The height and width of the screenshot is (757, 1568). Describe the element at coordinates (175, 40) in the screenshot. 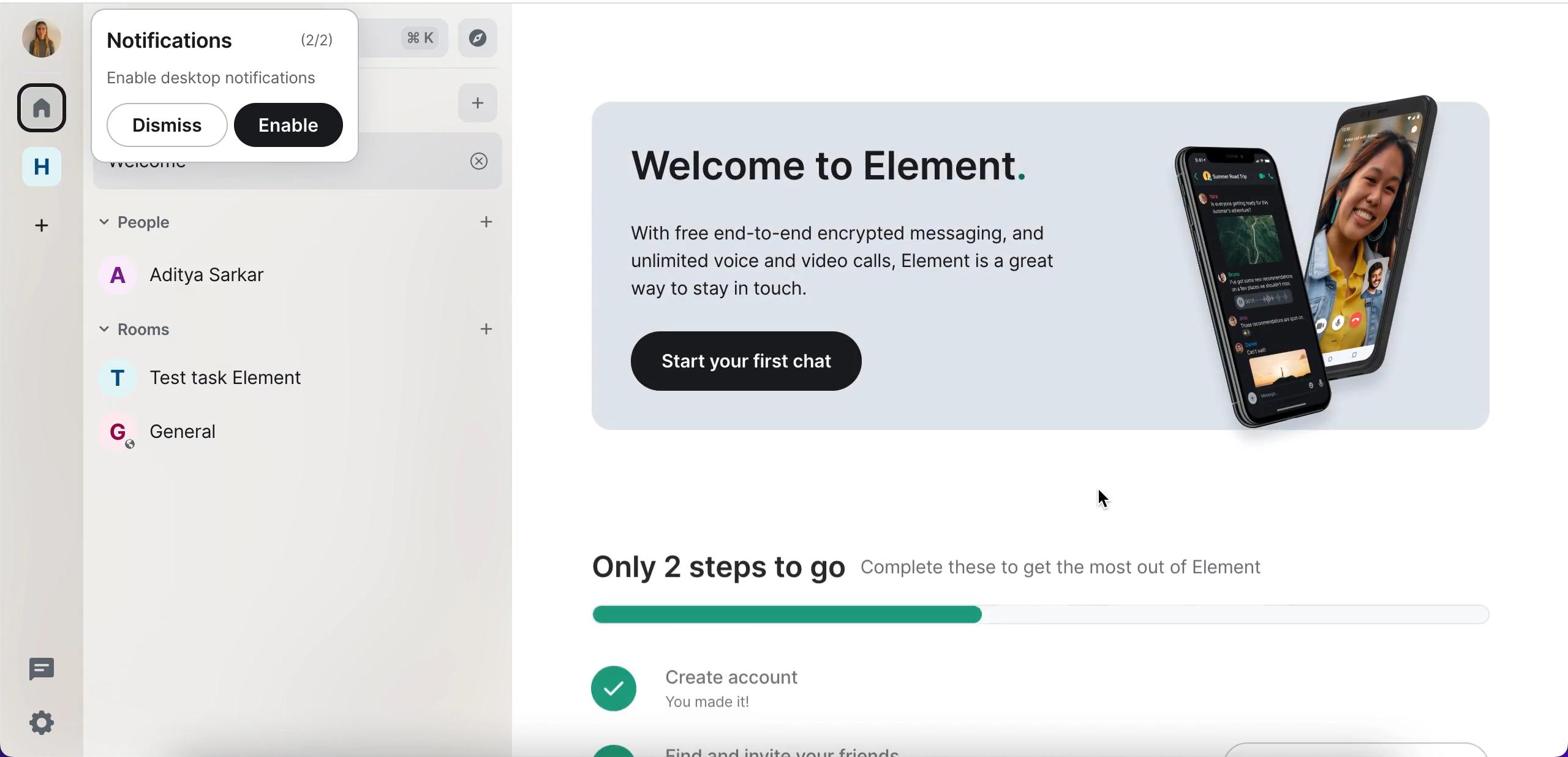

I see `notifications` at that location.